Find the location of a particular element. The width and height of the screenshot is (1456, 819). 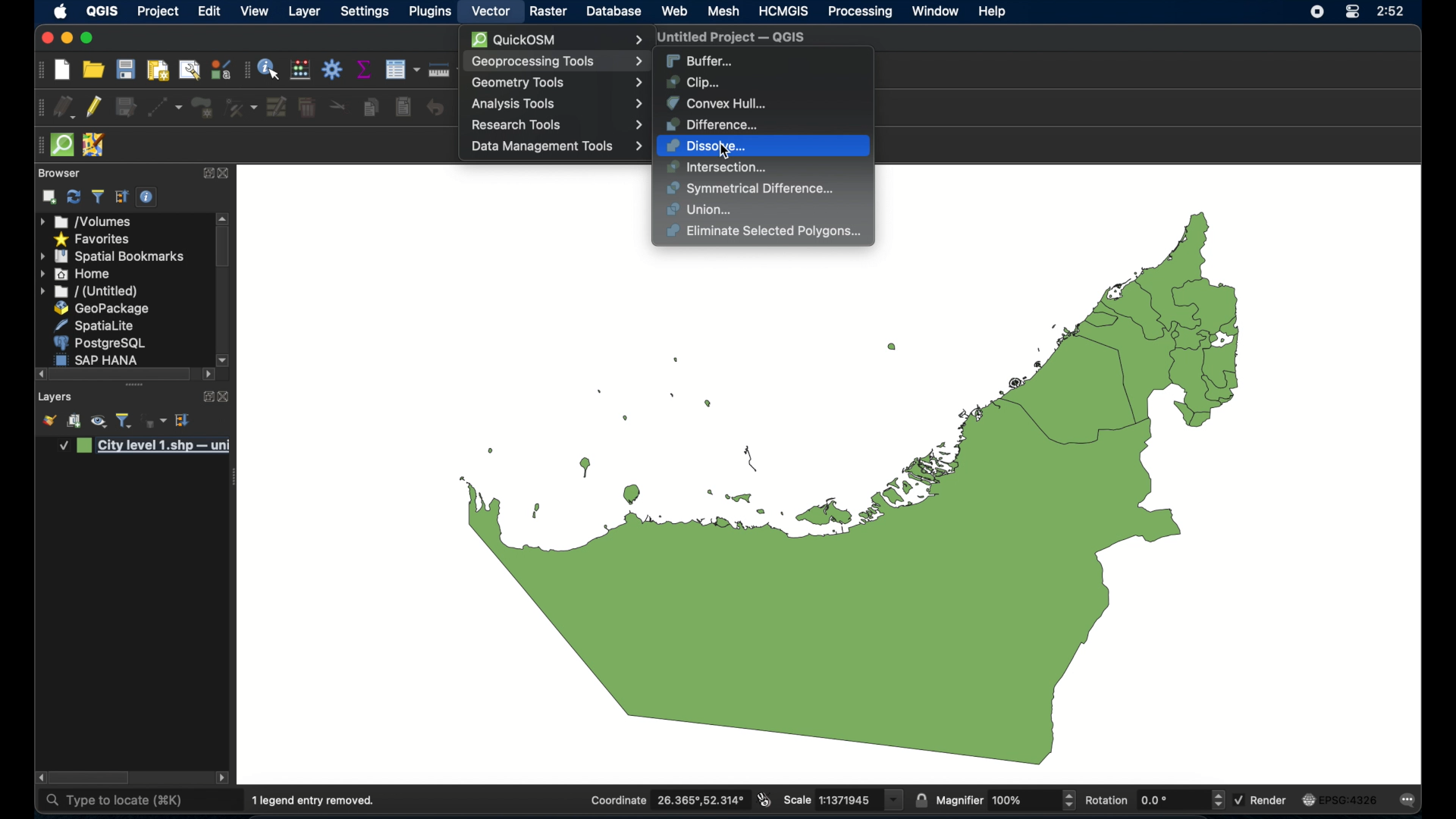

intersection is located at coordinates (717, 168).